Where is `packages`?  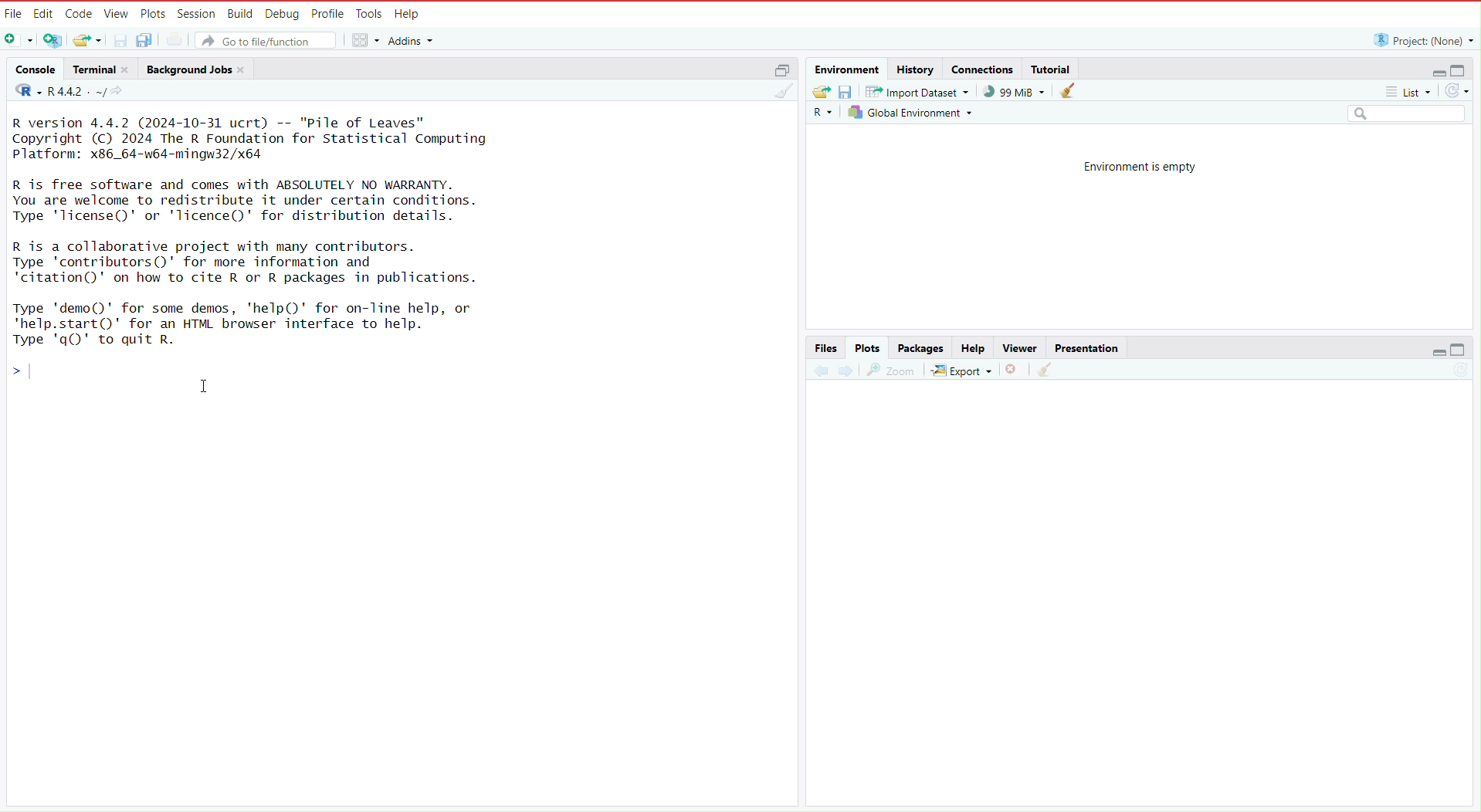 packages is located at coordinates (920, 347).